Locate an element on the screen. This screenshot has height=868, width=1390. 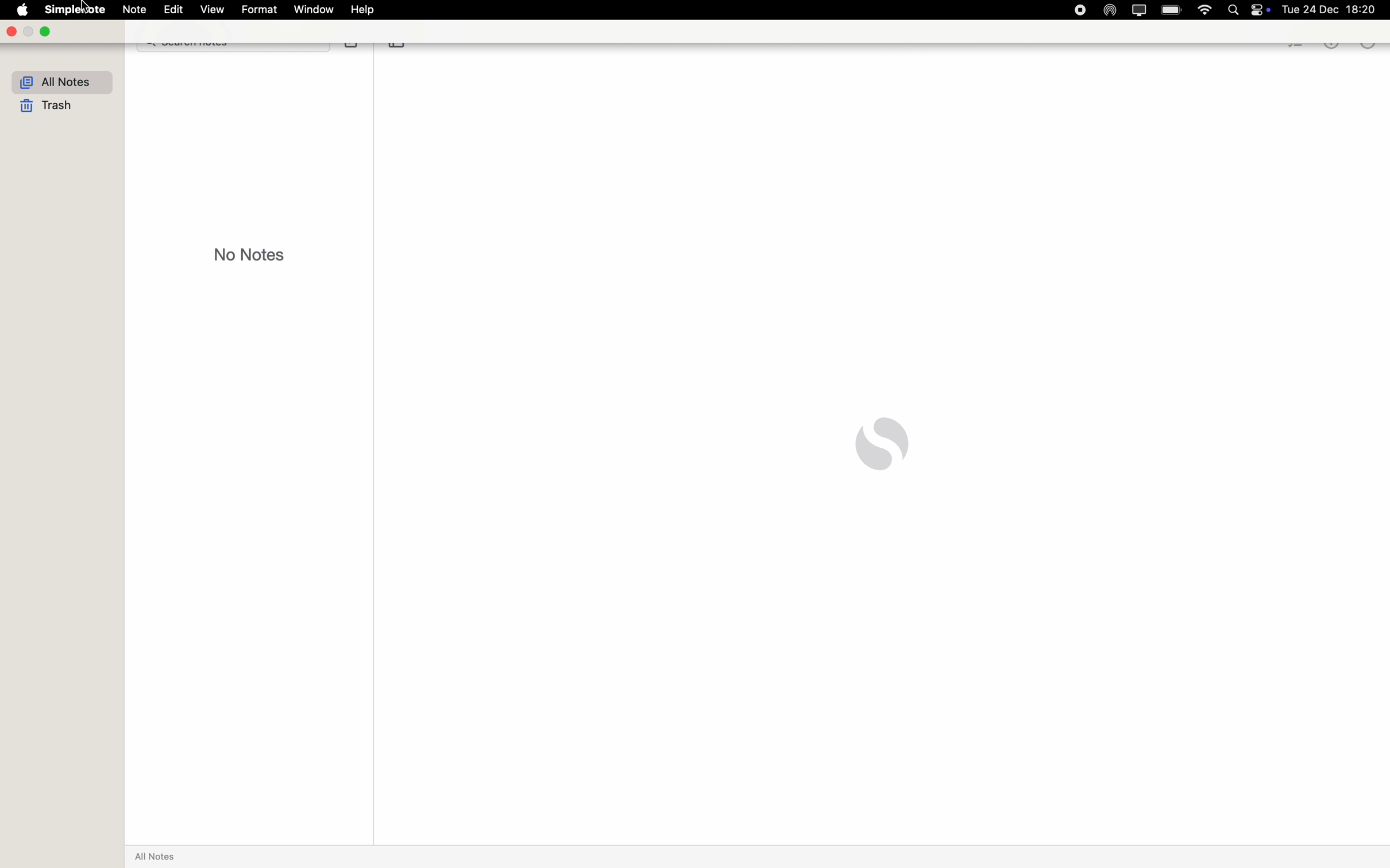
date and hour is located at coordinates (1335, 9).